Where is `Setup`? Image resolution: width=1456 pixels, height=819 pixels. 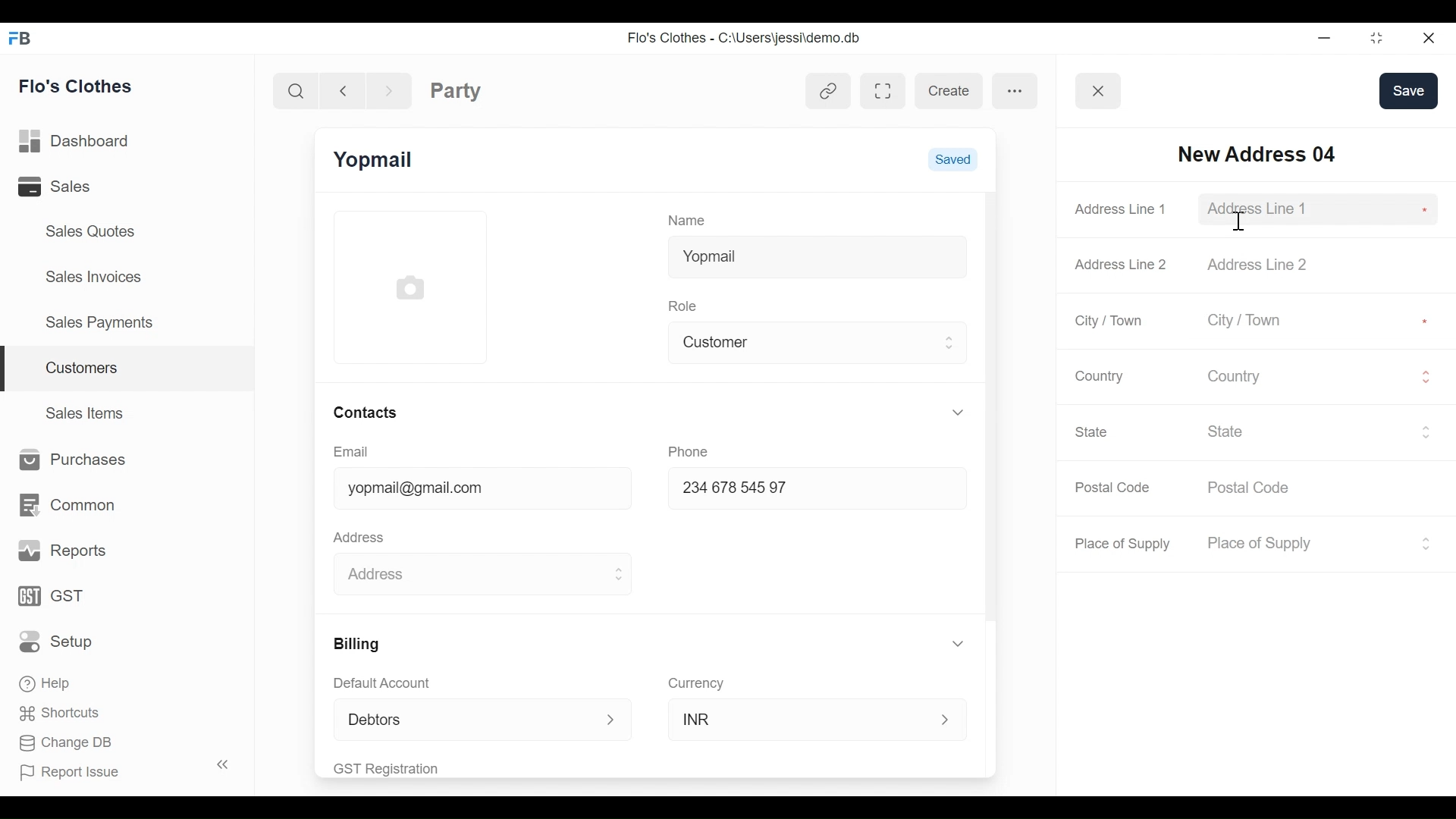 Setup is located at coordinates (60, 641).